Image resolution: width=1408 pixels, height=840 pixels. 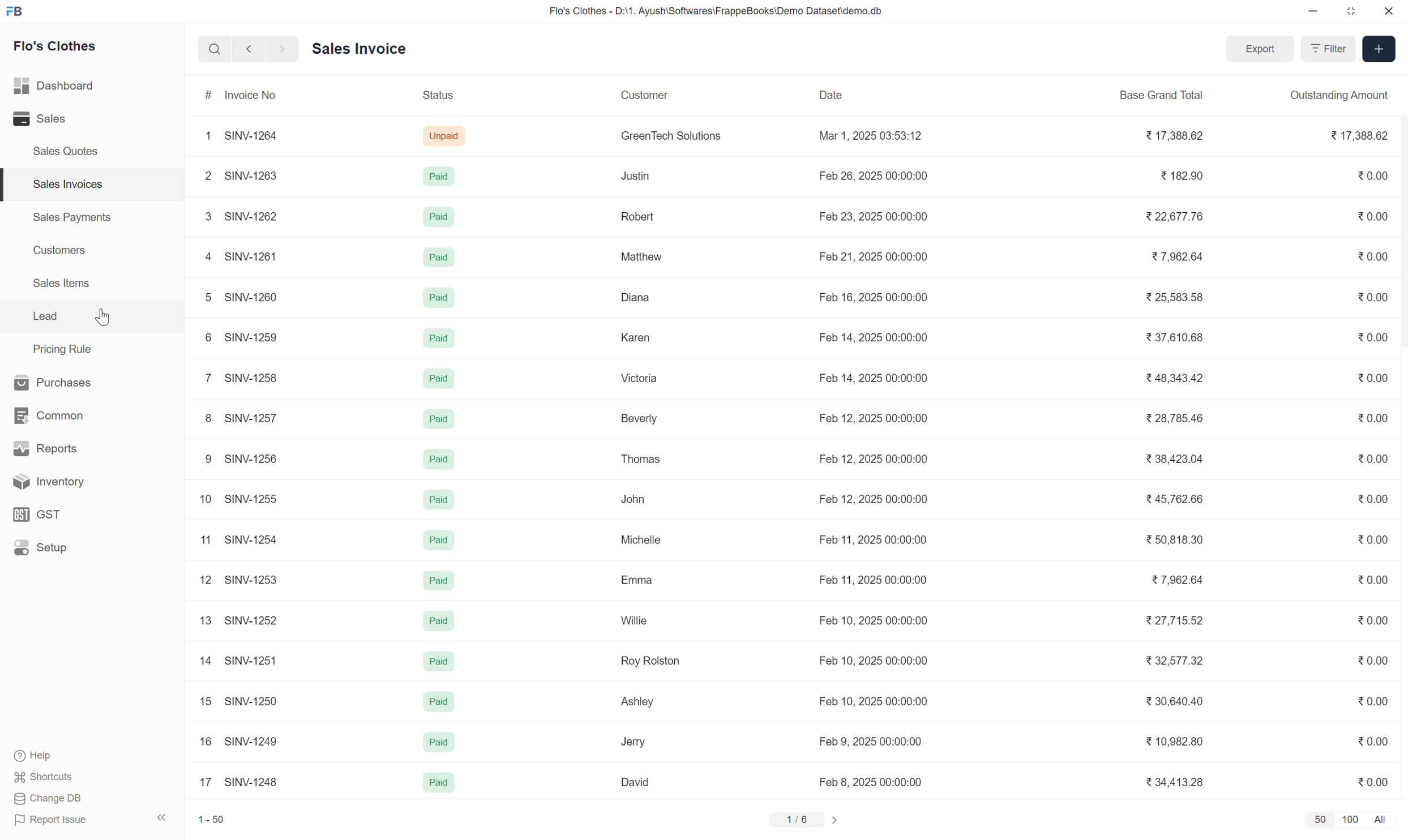 I want to click on GST, so click(x=39, y=515).